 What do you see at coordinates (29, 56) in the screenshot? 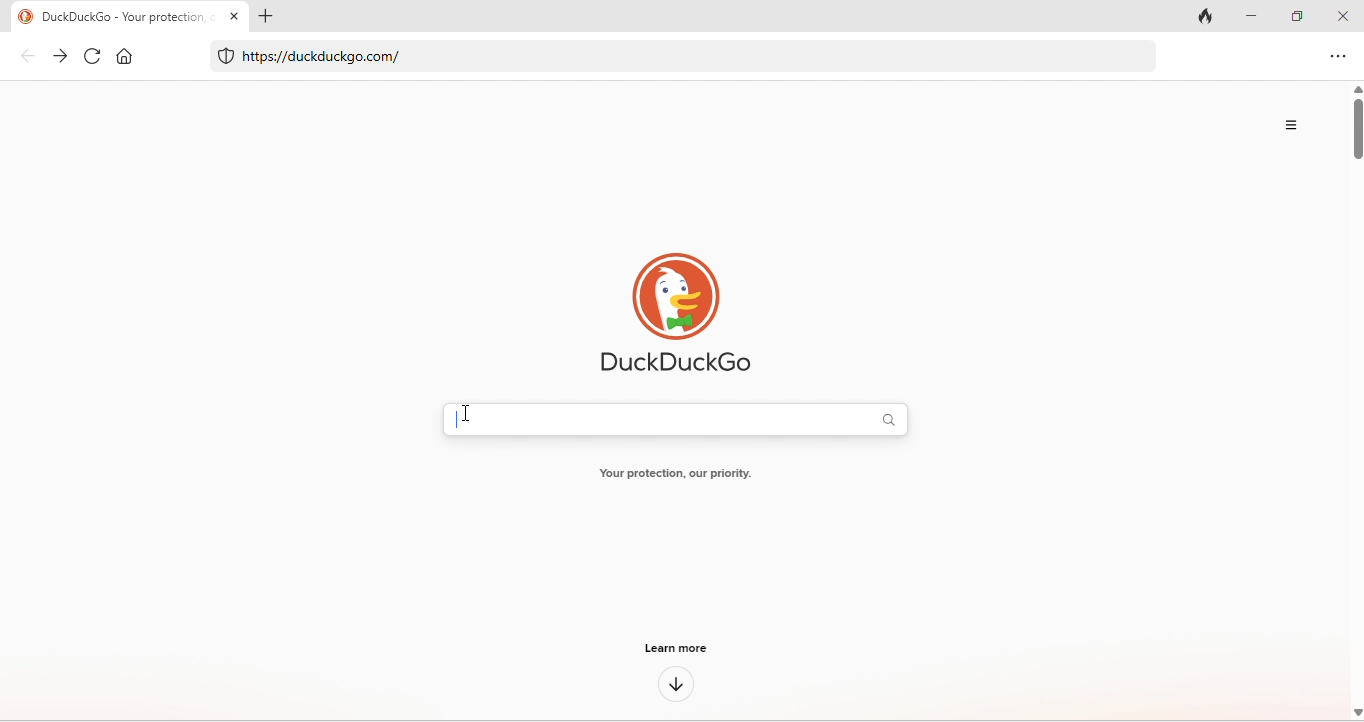
I see `back` at bounding box center [29, 56].